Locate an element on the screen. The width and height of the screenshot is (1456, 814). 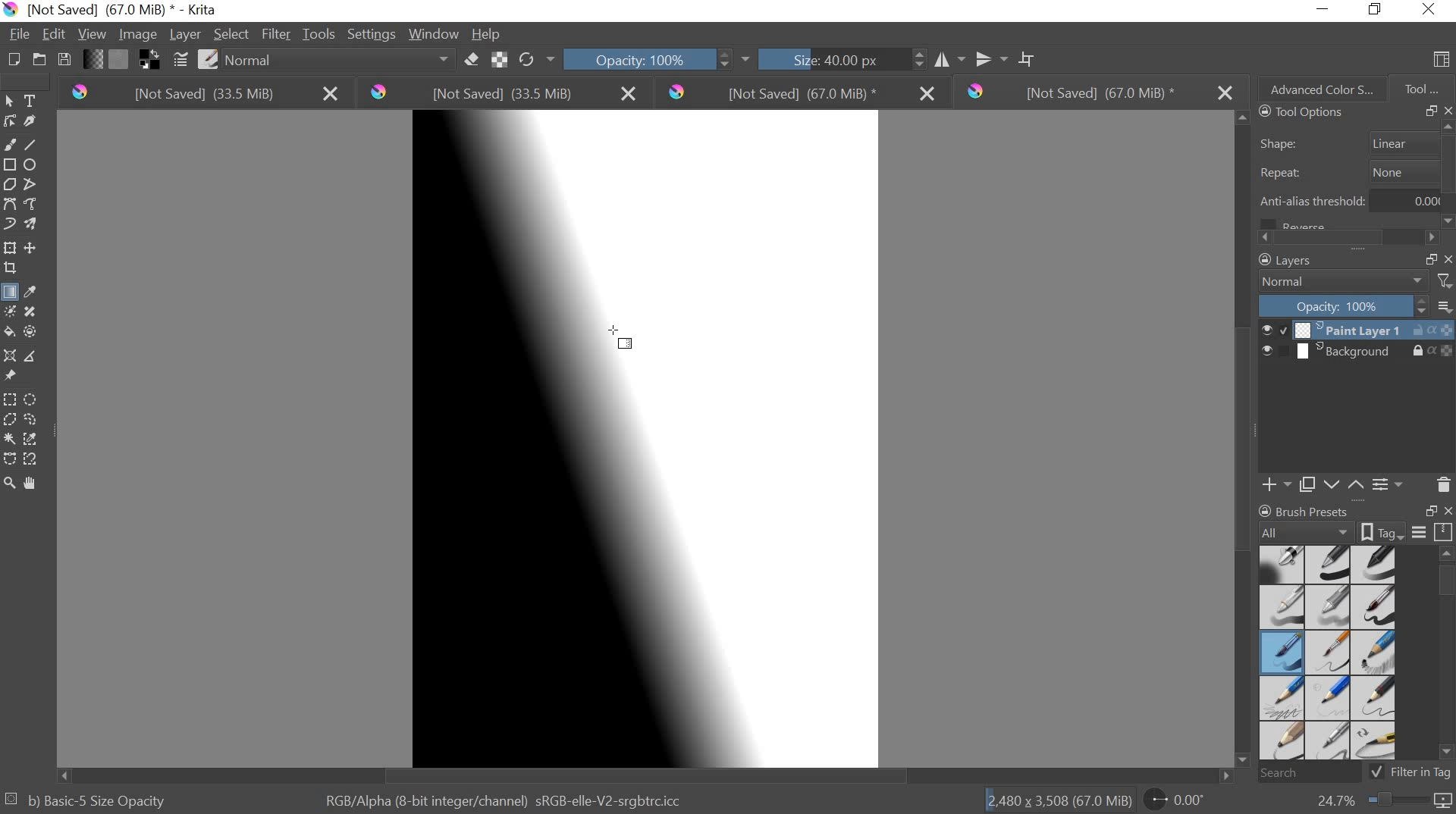
FILTERS is located at coordinates (1444, 280).